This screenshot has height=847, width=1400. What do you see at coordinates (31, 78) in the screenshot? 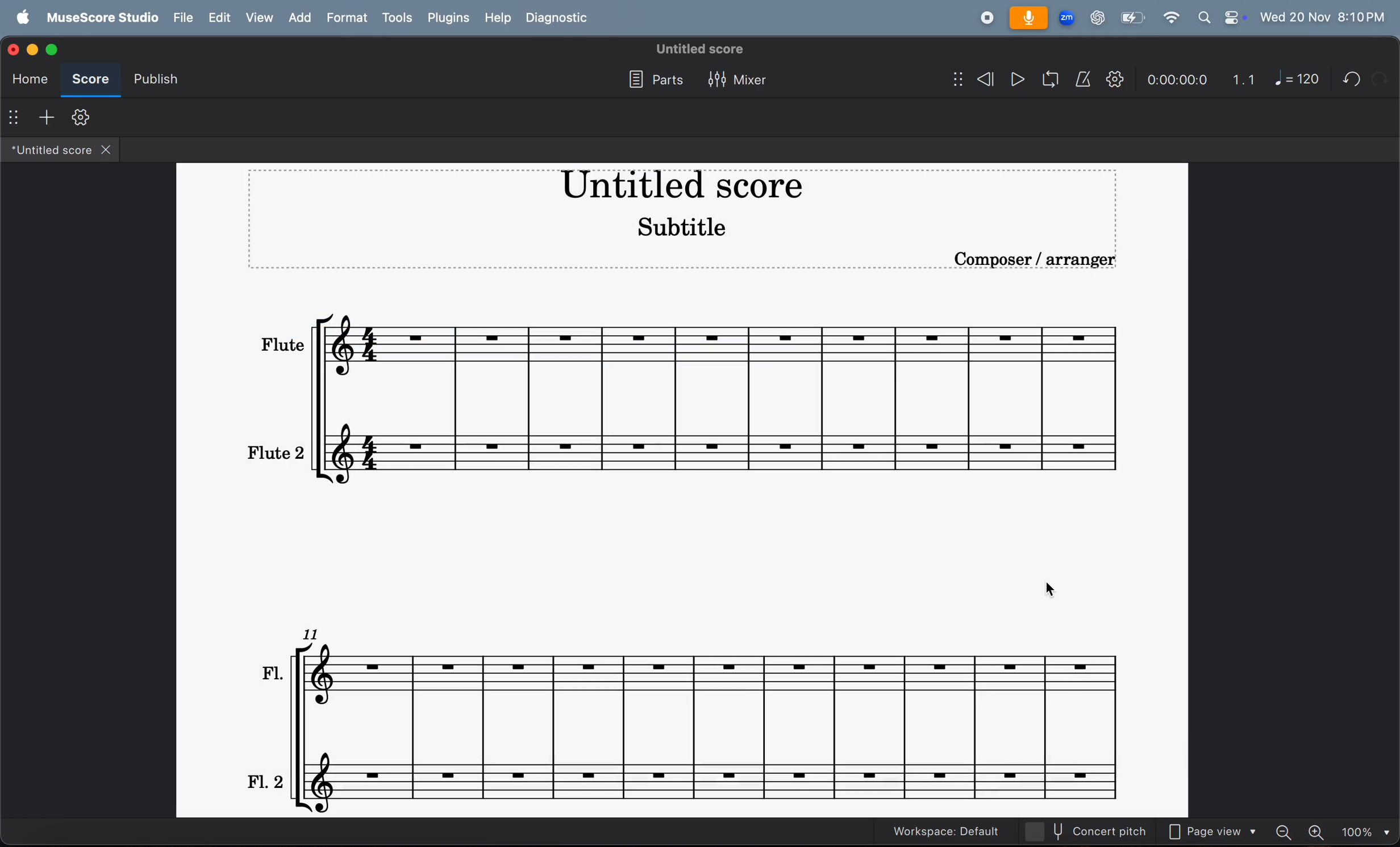
I see `home` at bounding box center [31, 78].